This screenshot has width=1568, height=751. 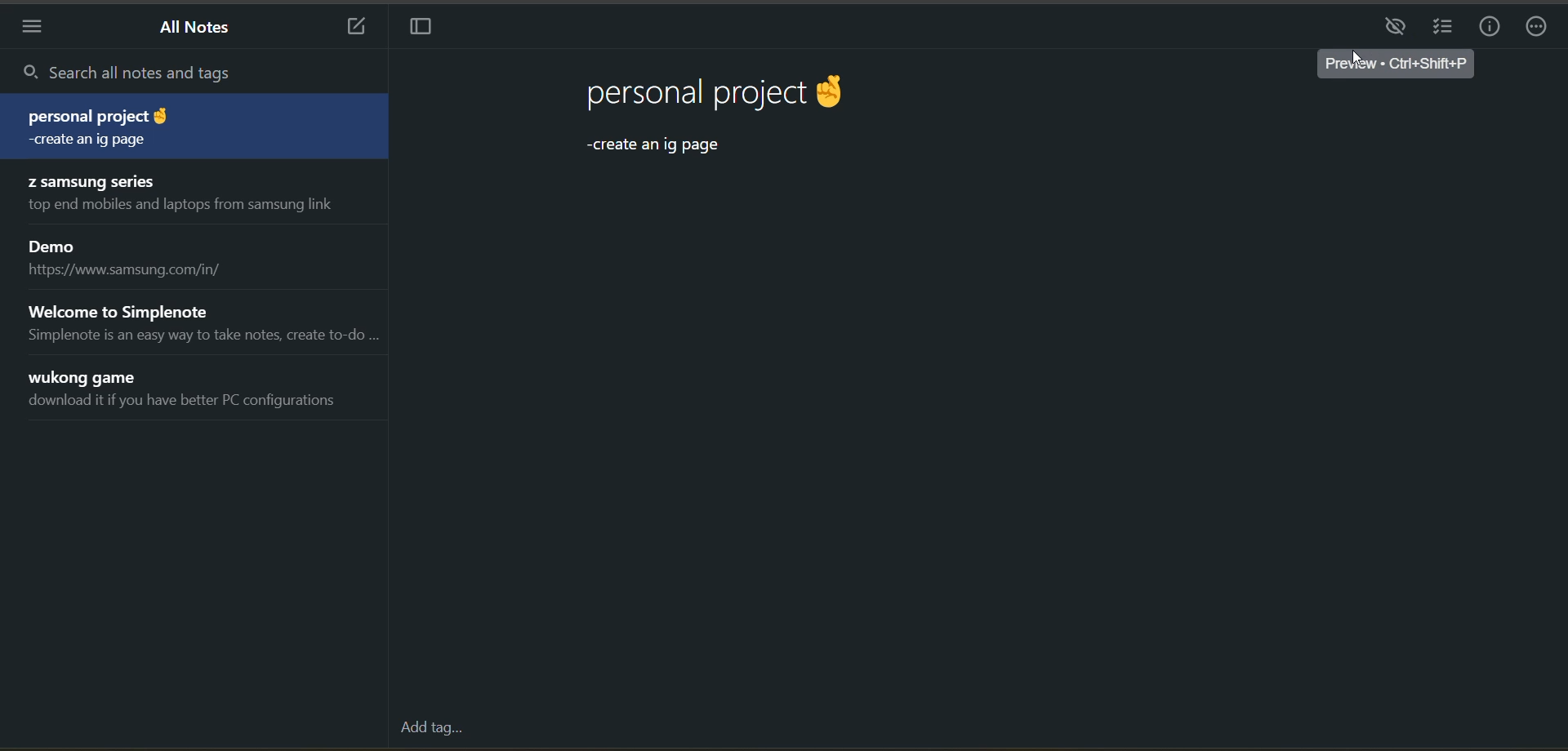 I want to click on note title and preview, so click(x=189, y=195).